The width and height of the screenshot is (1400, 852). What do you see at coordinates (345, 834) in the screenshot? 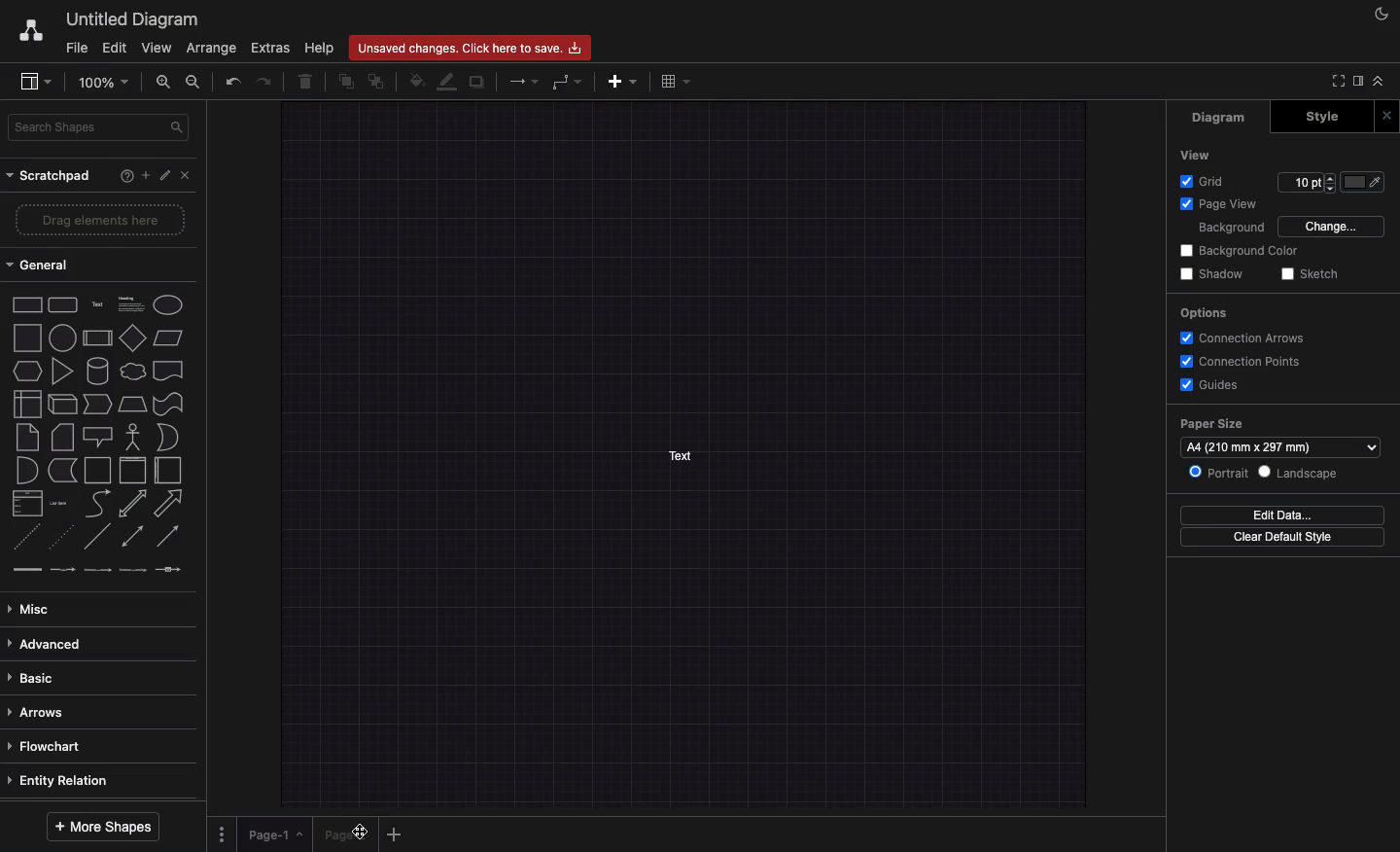
I see `Page 2` at bounding box center [345, 834].